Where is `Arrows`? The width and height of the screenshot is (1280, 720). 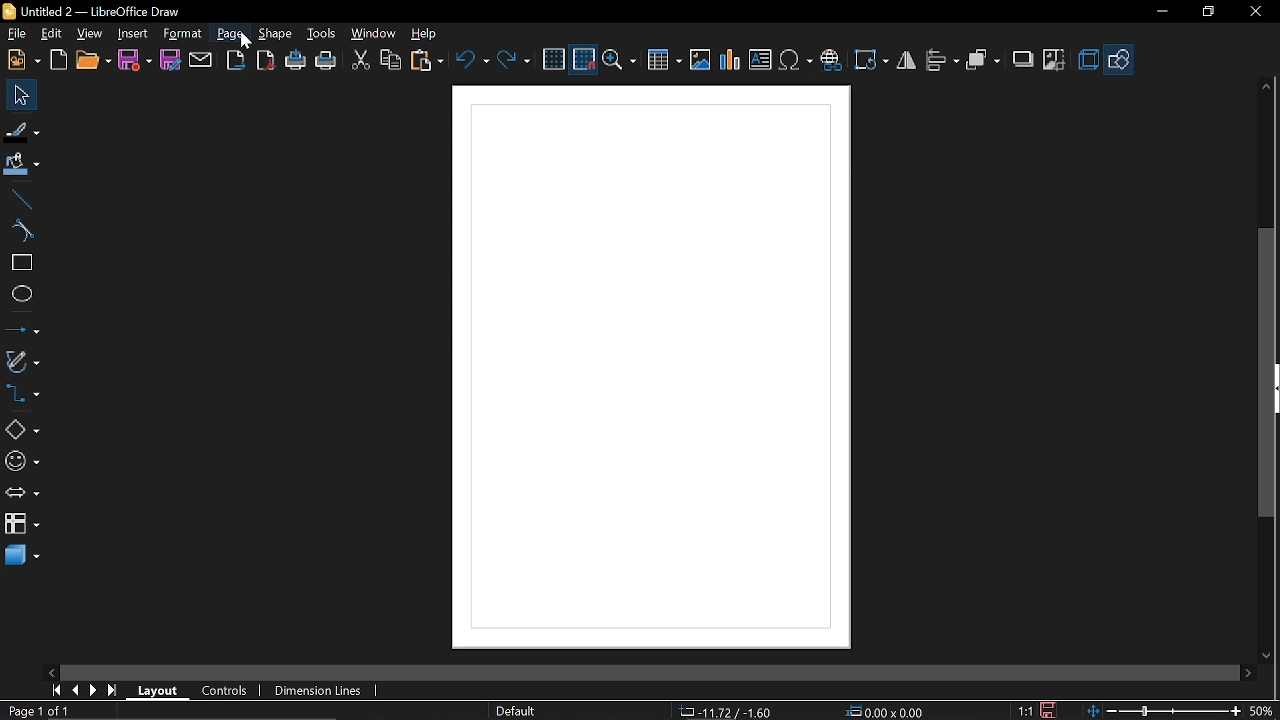
Arrows is located at coordinates (22, 492).